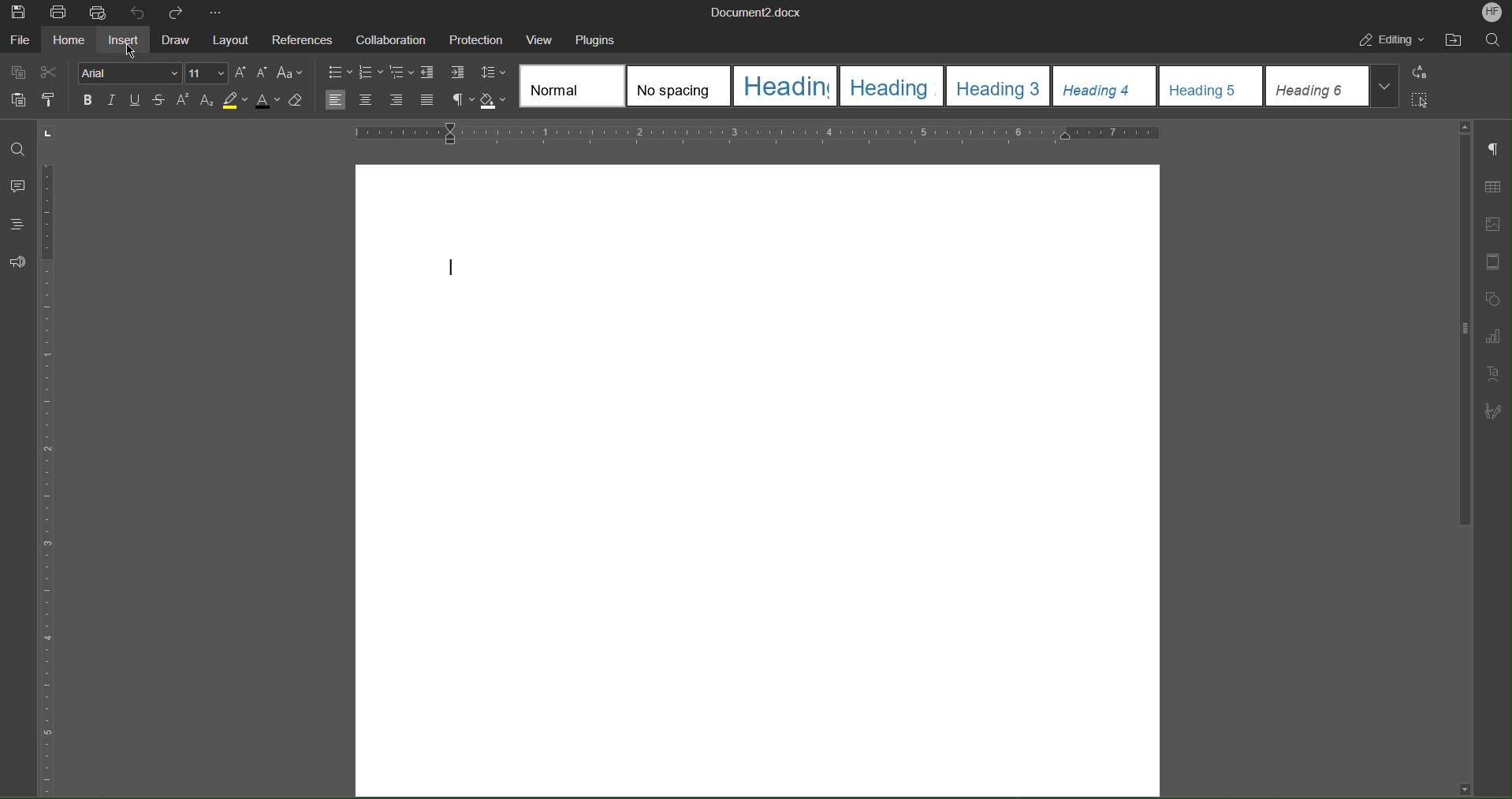  Describe the element at coordinates (20, 11) in the screenshot. I see `Save` at that location.